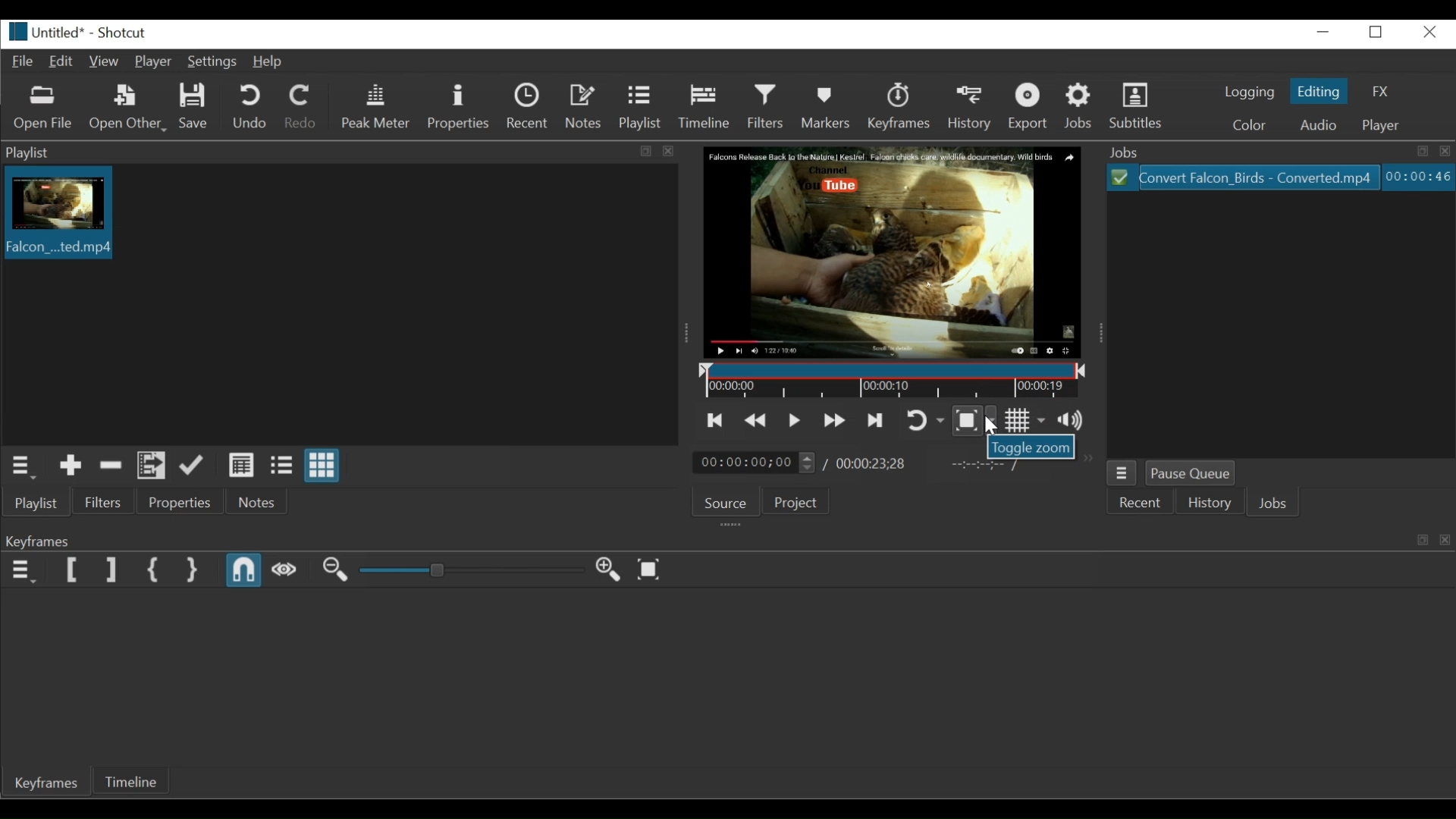 Image resolution: width=1456 pixels, height=819 pixels. Describe the element at coordinates (827, 106) in the screenshot. I see `Markers` at that location.